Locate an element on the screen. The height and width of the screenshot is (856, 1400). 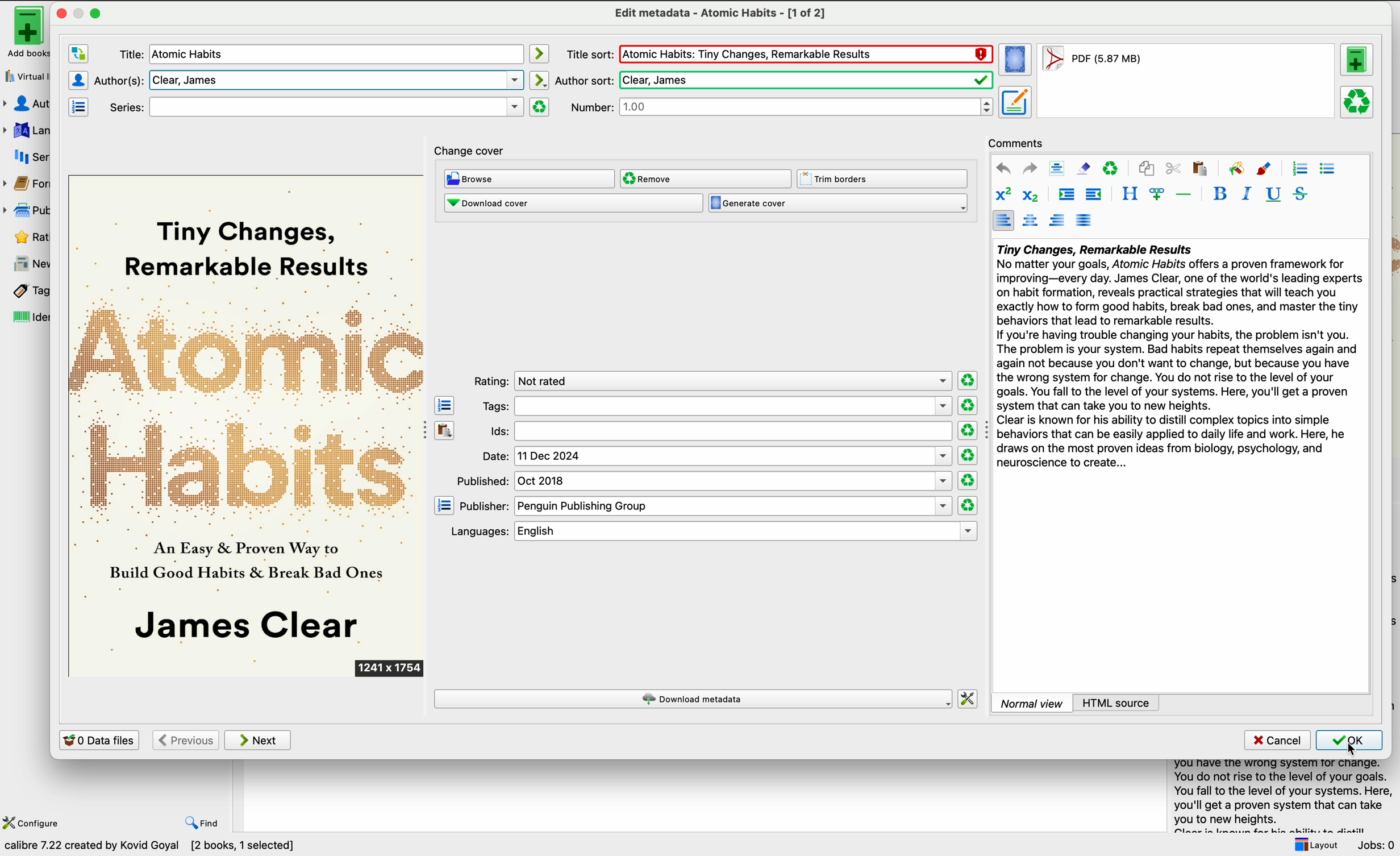
paste is located at coordinates (1199, 168).